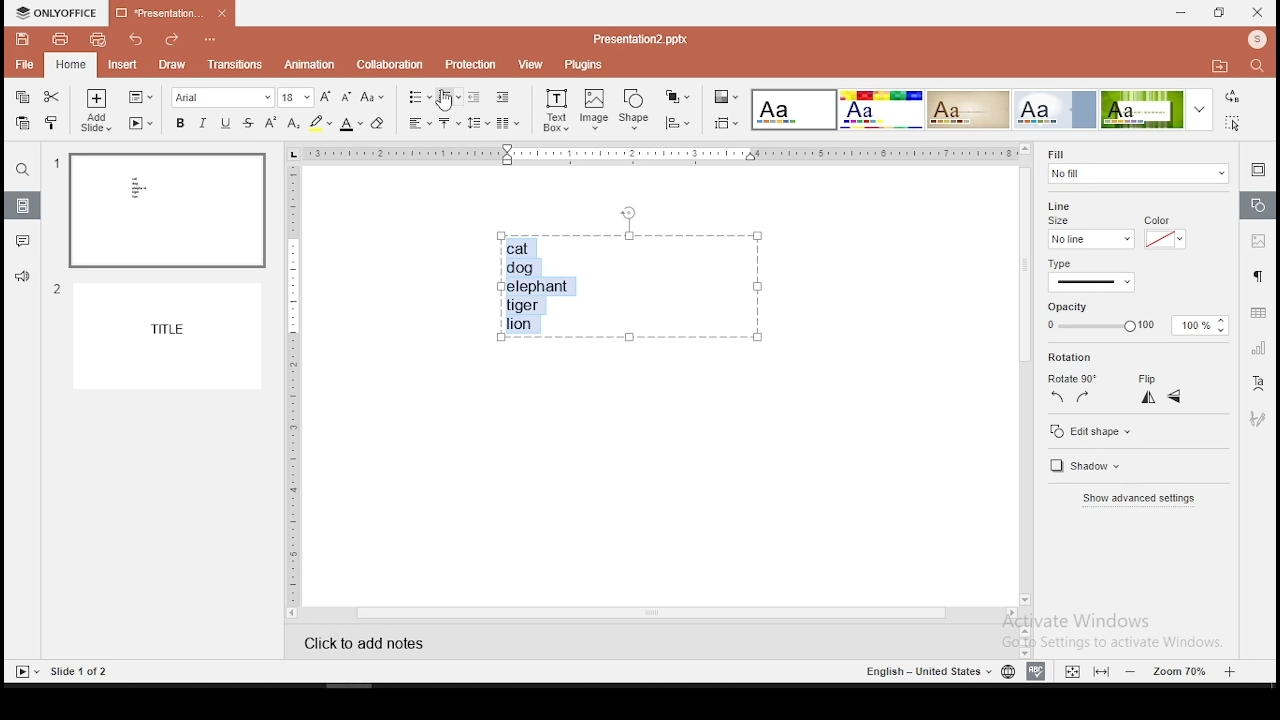 The image size is (1280, 720). I want to click on paragraph settings, so click(1257, 276).